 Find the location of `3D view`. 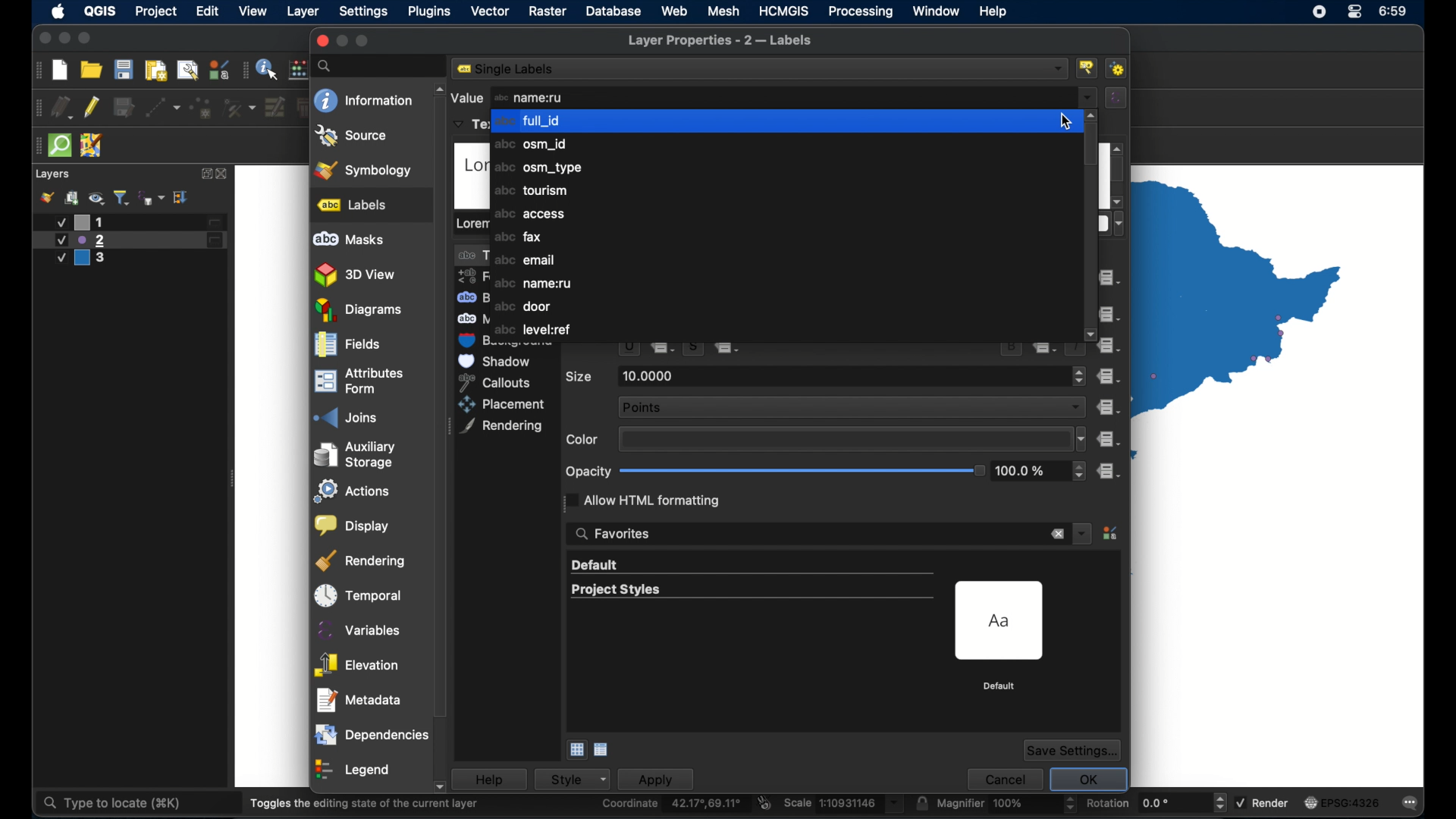

3D view is located at coordinates (357, 275).